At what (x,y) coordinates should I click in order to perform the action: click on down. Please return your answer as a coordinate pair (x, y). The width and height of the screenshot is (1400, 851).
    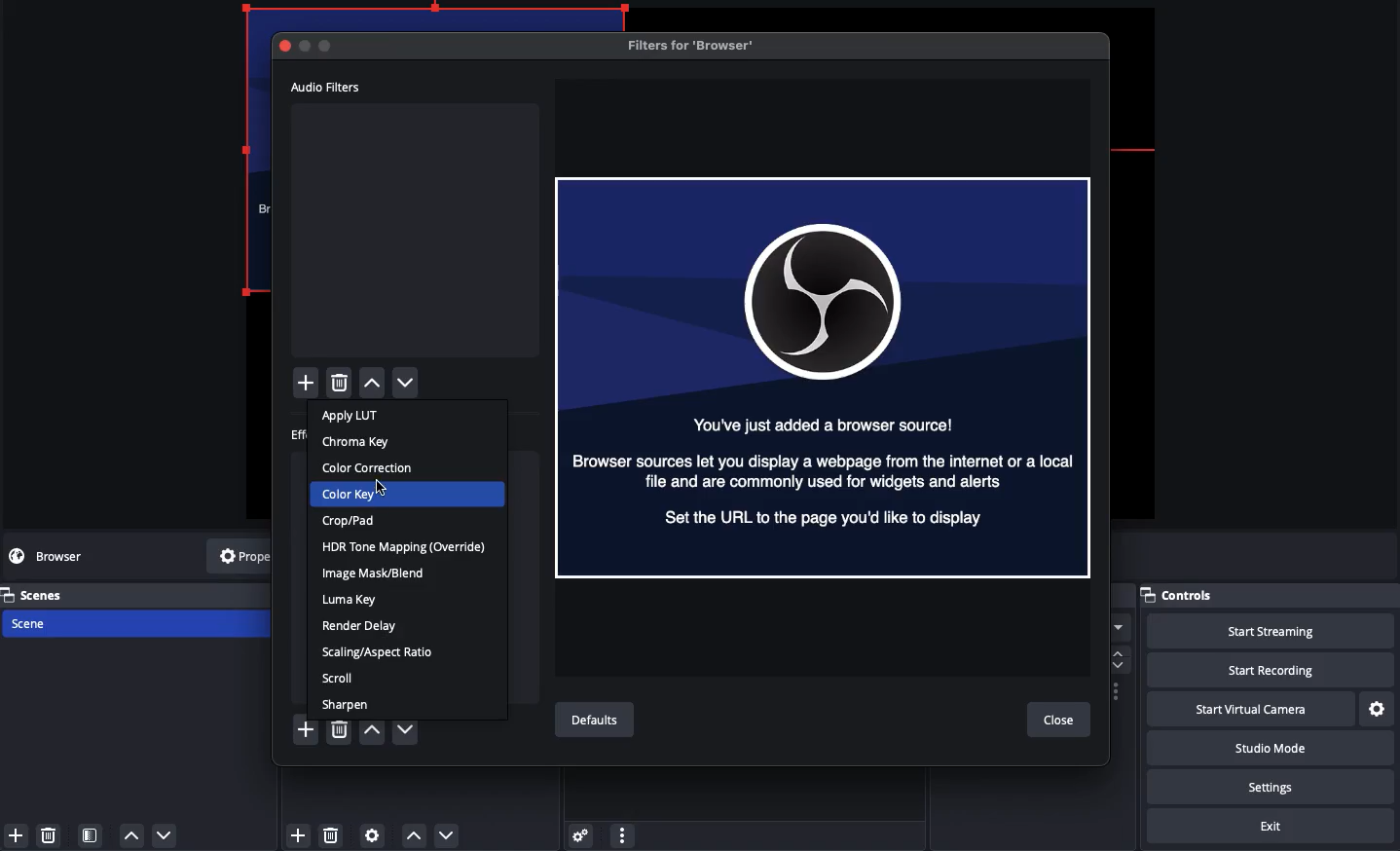
    Looking at the image, I should click on (165, 833).